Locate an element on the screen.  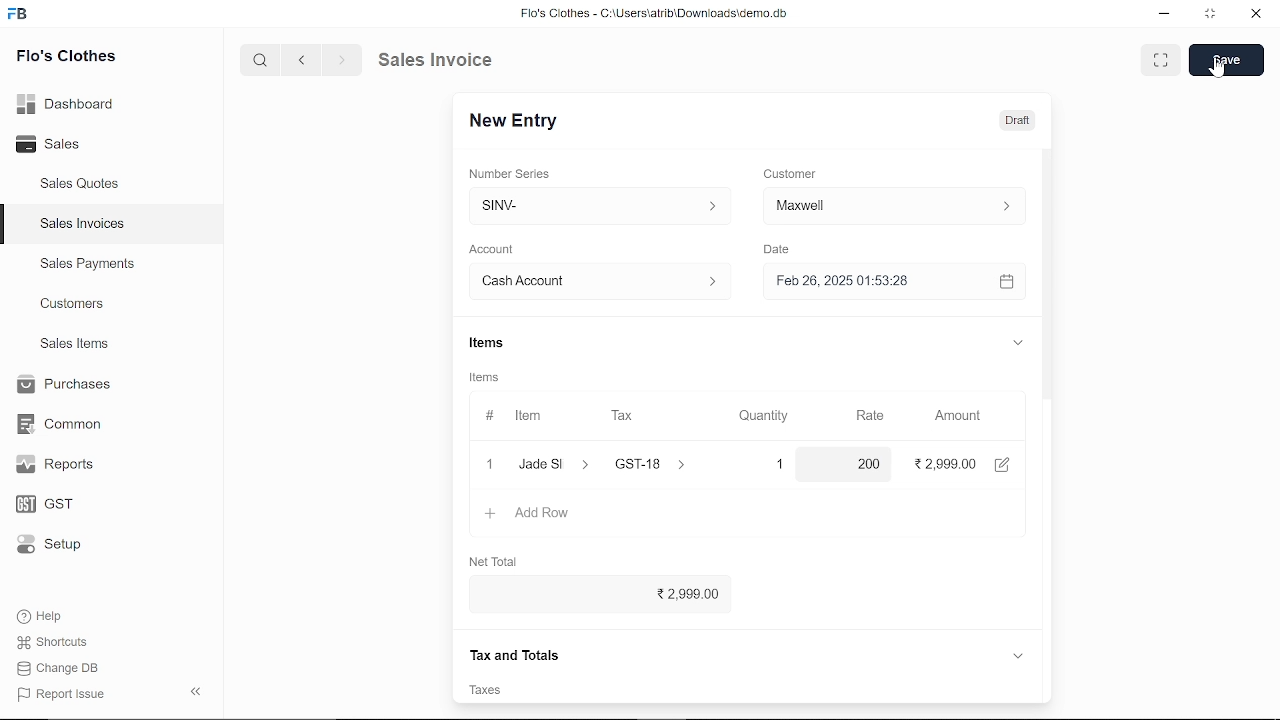
edit account is located at coordinates (1006, 463).